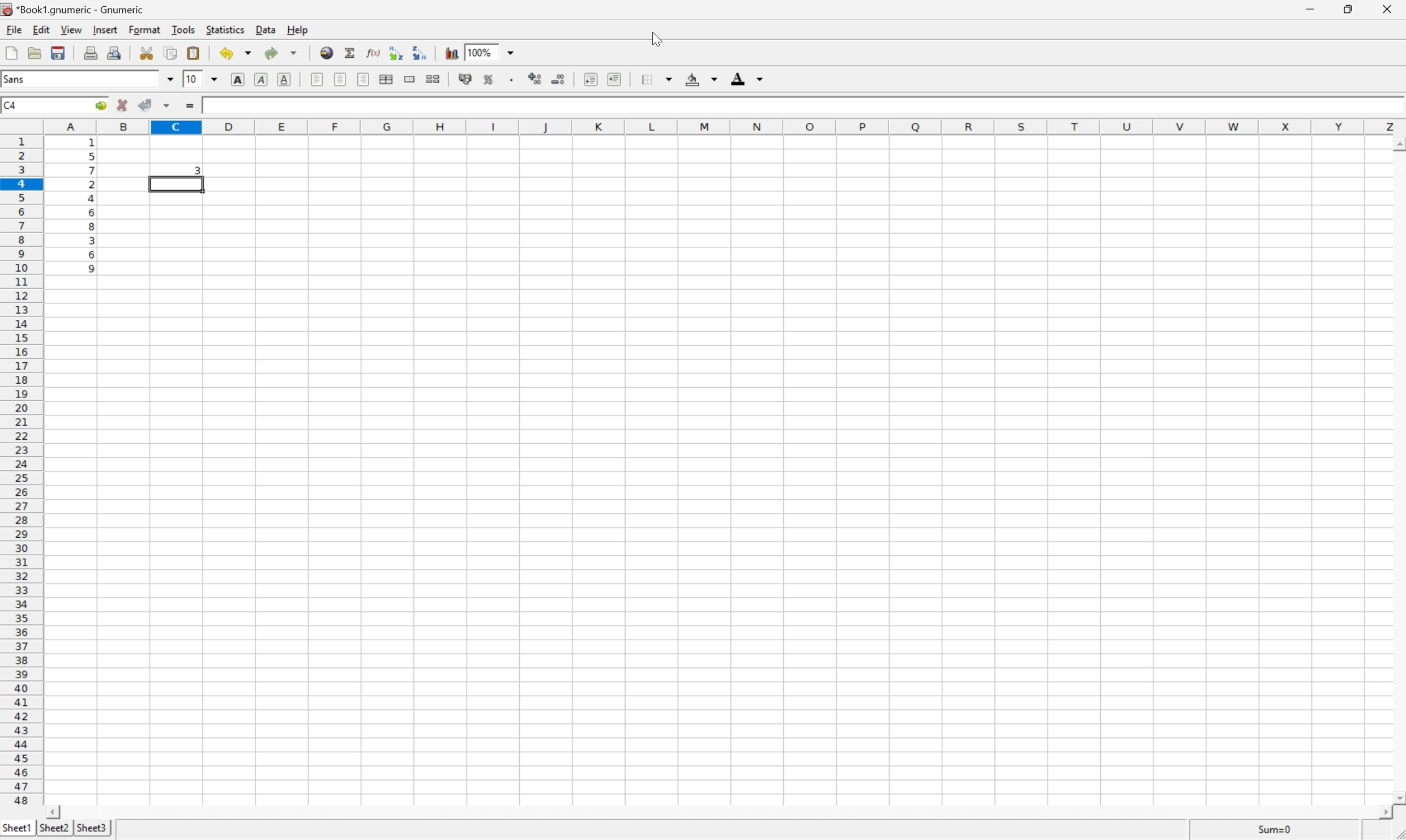 The image size is (1406, 840). I want to click on 100%, so click(478, 52).